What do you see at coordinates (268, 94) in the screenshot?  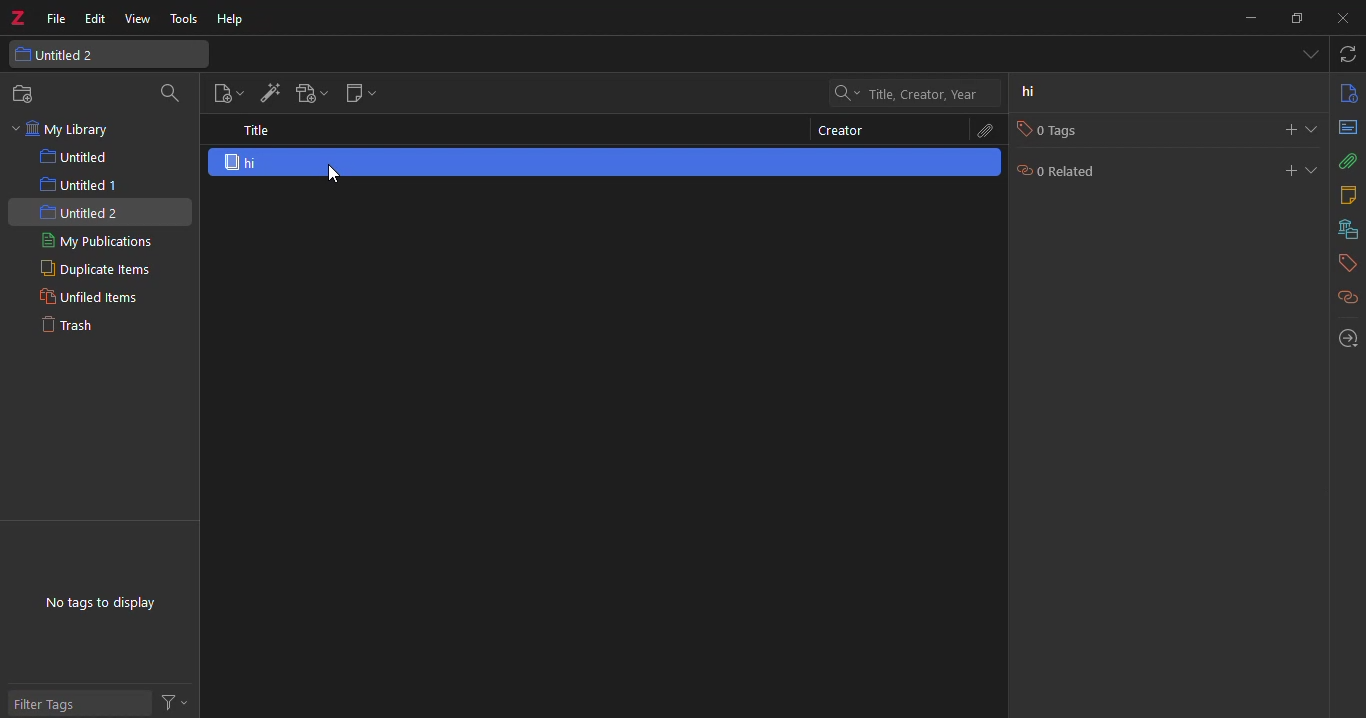 I see `add item` at bounding box center [268, 94].